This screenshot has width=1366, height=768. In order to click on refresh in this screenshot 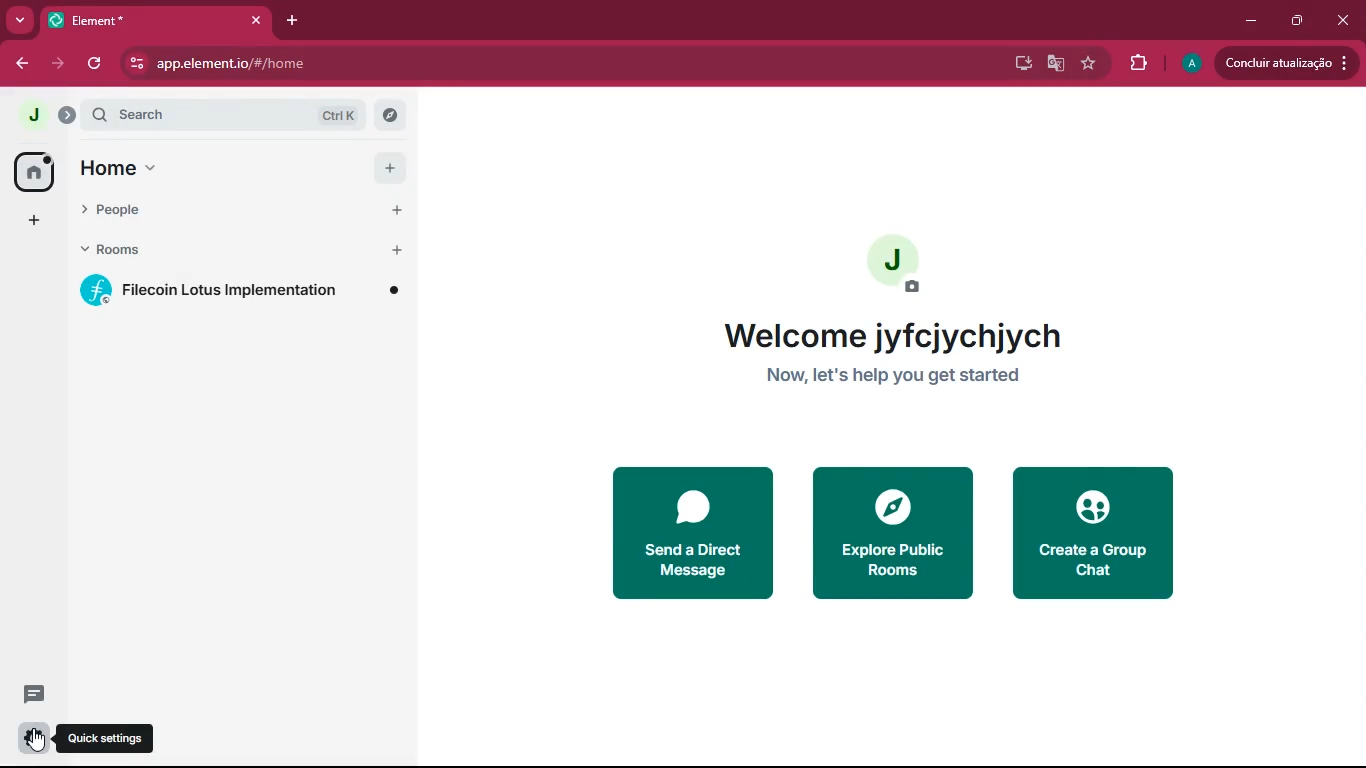, I will do `click(97, 63)`.